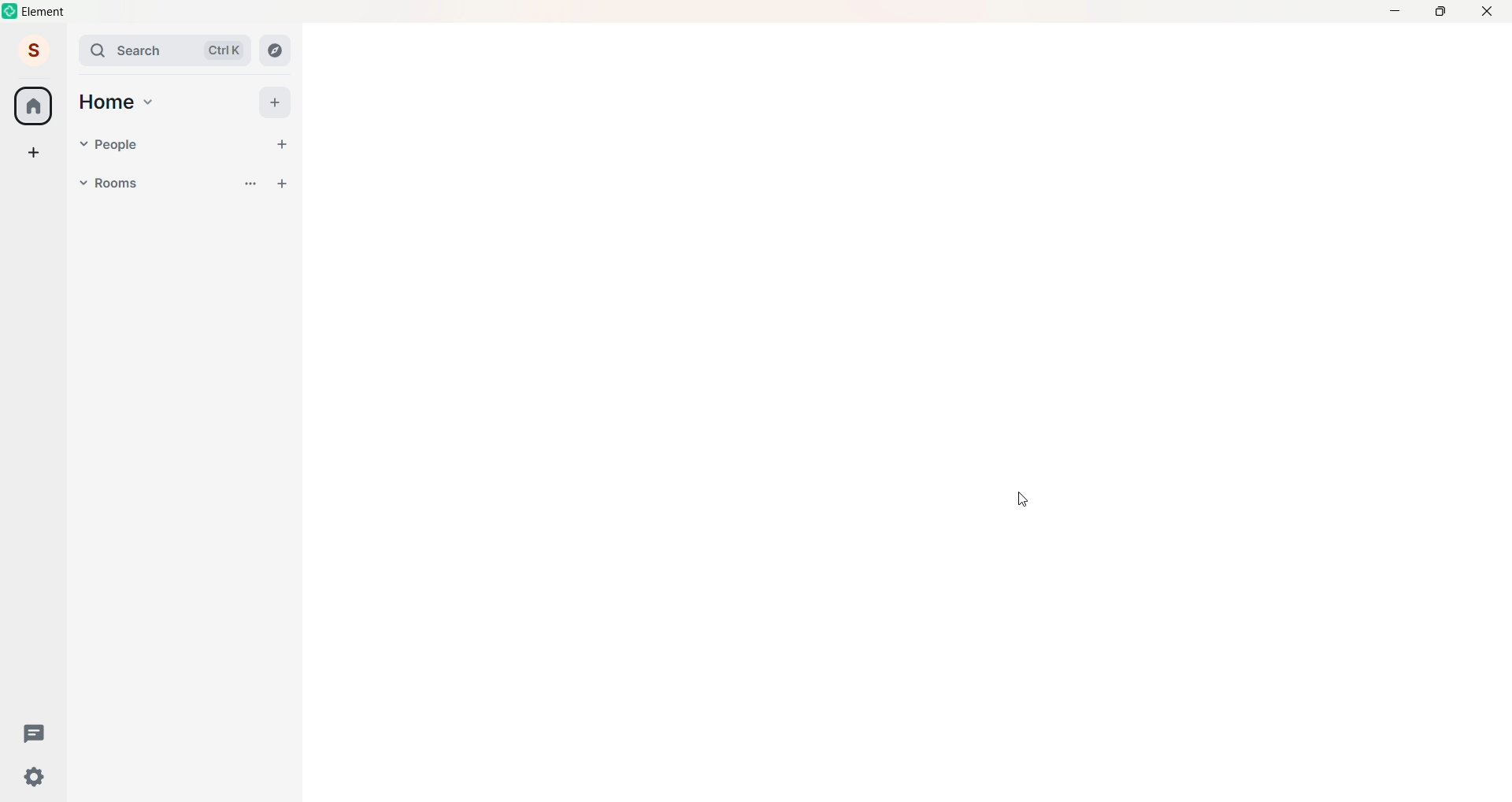  Describe the element at coordinates (76, 13) in the screenshot. I see `element` at that location.